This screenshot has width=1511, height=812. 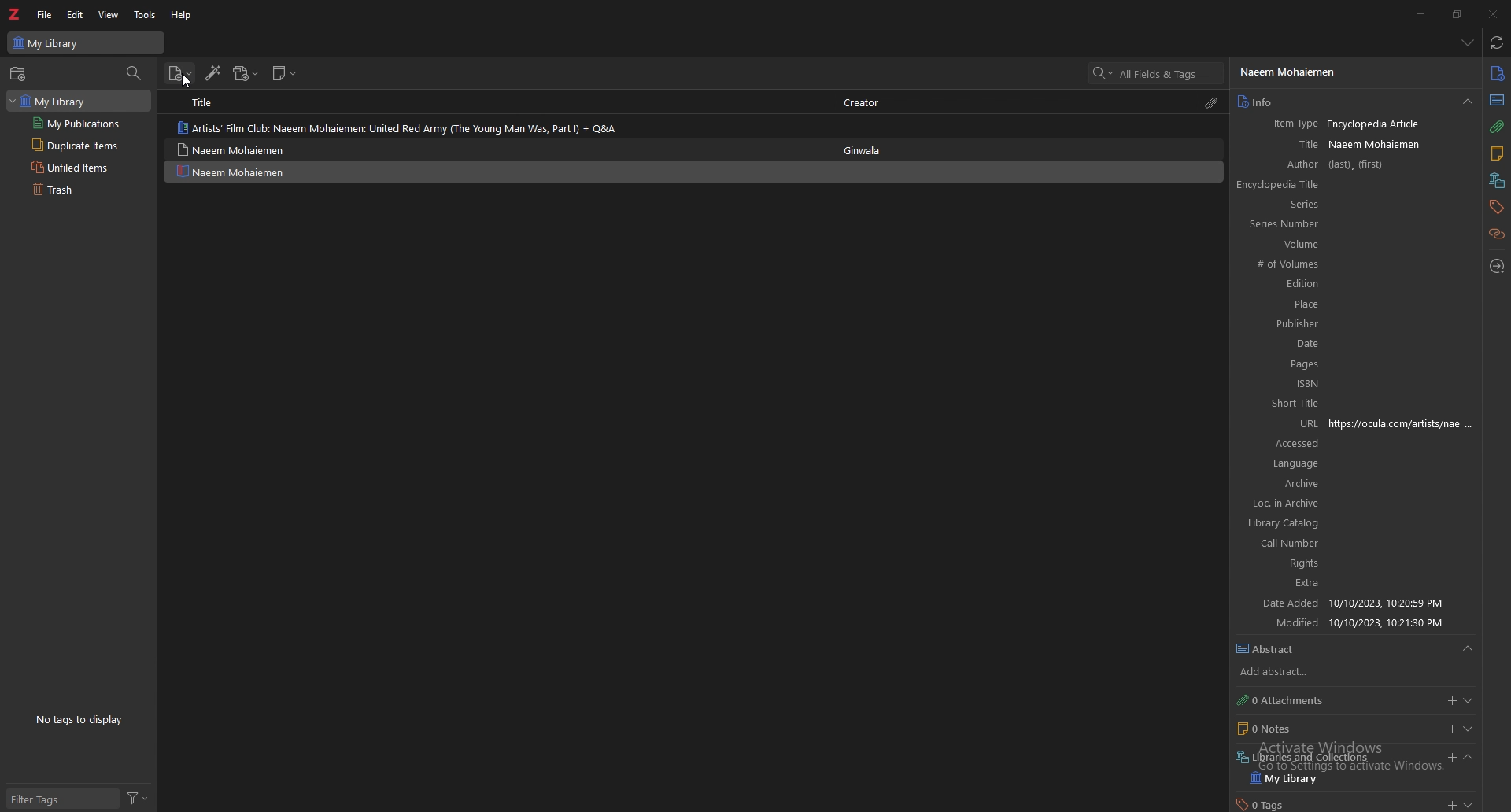 What do you see at coordinates (192, 82) in the screenshot?
I see `Cursor` at bounding box center [192, 82].